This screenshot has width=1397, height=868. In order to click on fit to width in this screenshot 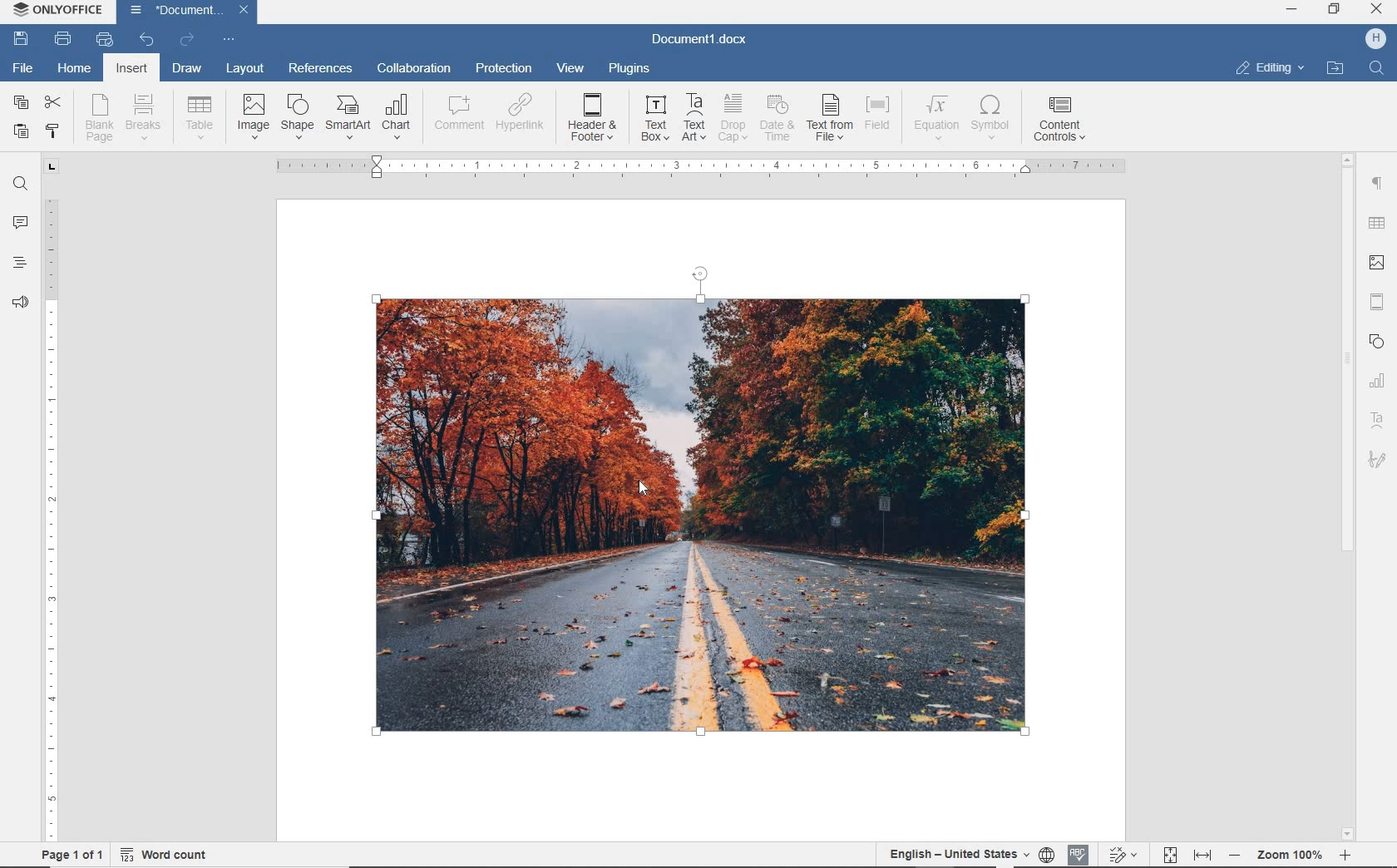, I will do `click(1202, 856)`.